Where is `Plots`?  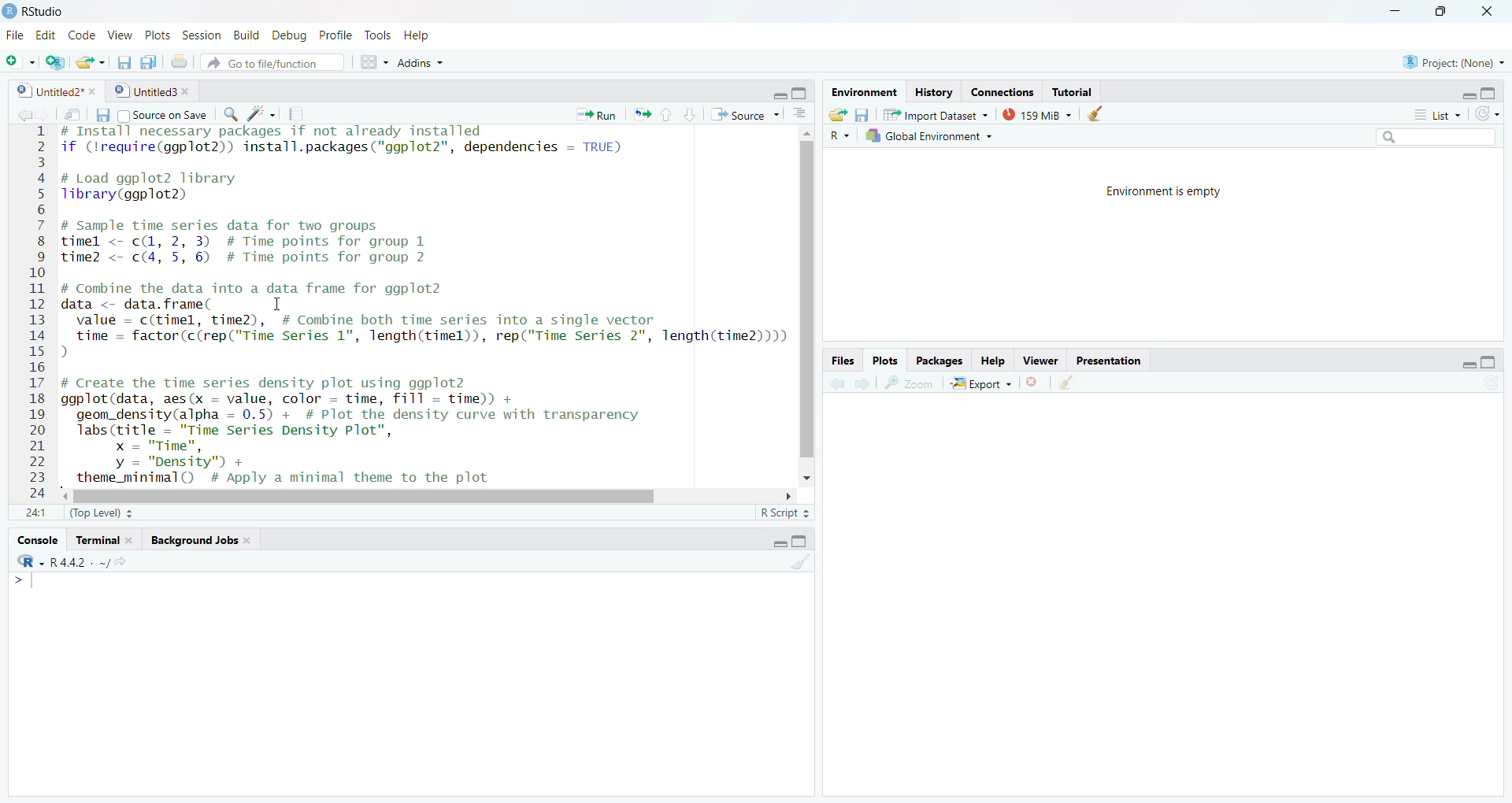
Plots is located at coordinates (155, 35).